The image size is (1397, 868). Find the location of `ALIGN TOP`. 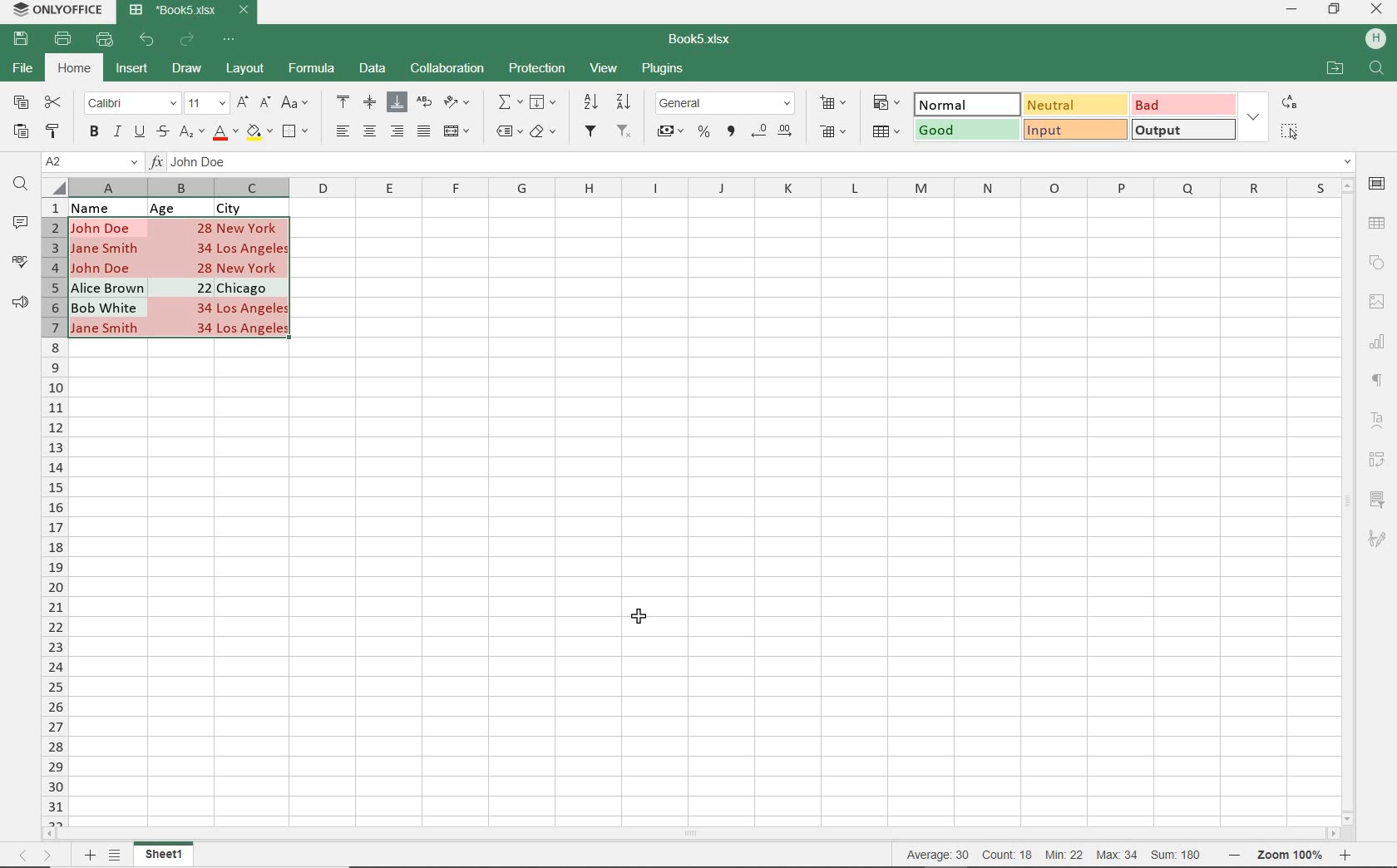

ALIGN TOP is located at coordinates (344, 101).